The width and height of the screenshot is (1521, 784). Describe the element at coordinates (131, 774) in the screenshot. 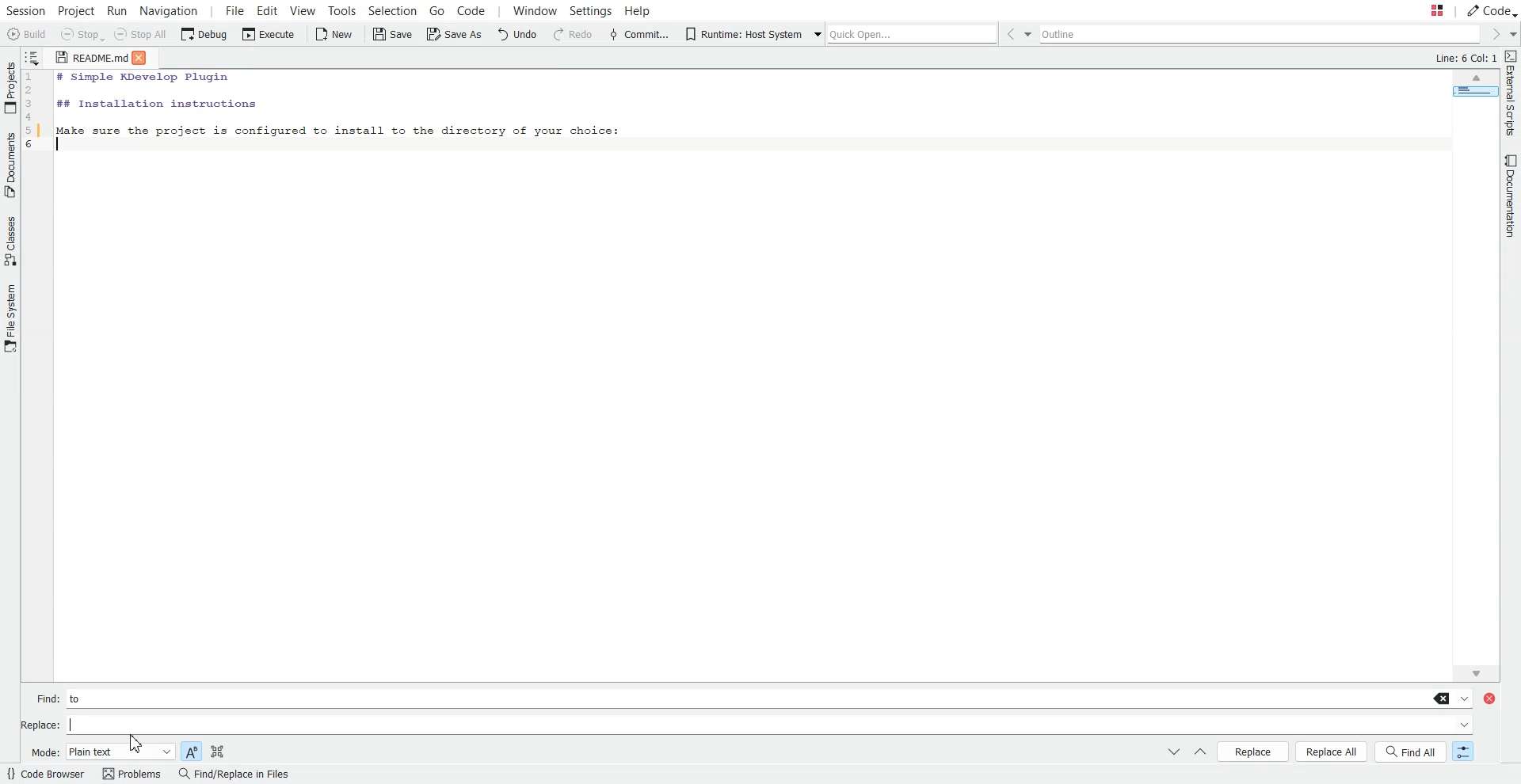

I see `Problems` at that location.